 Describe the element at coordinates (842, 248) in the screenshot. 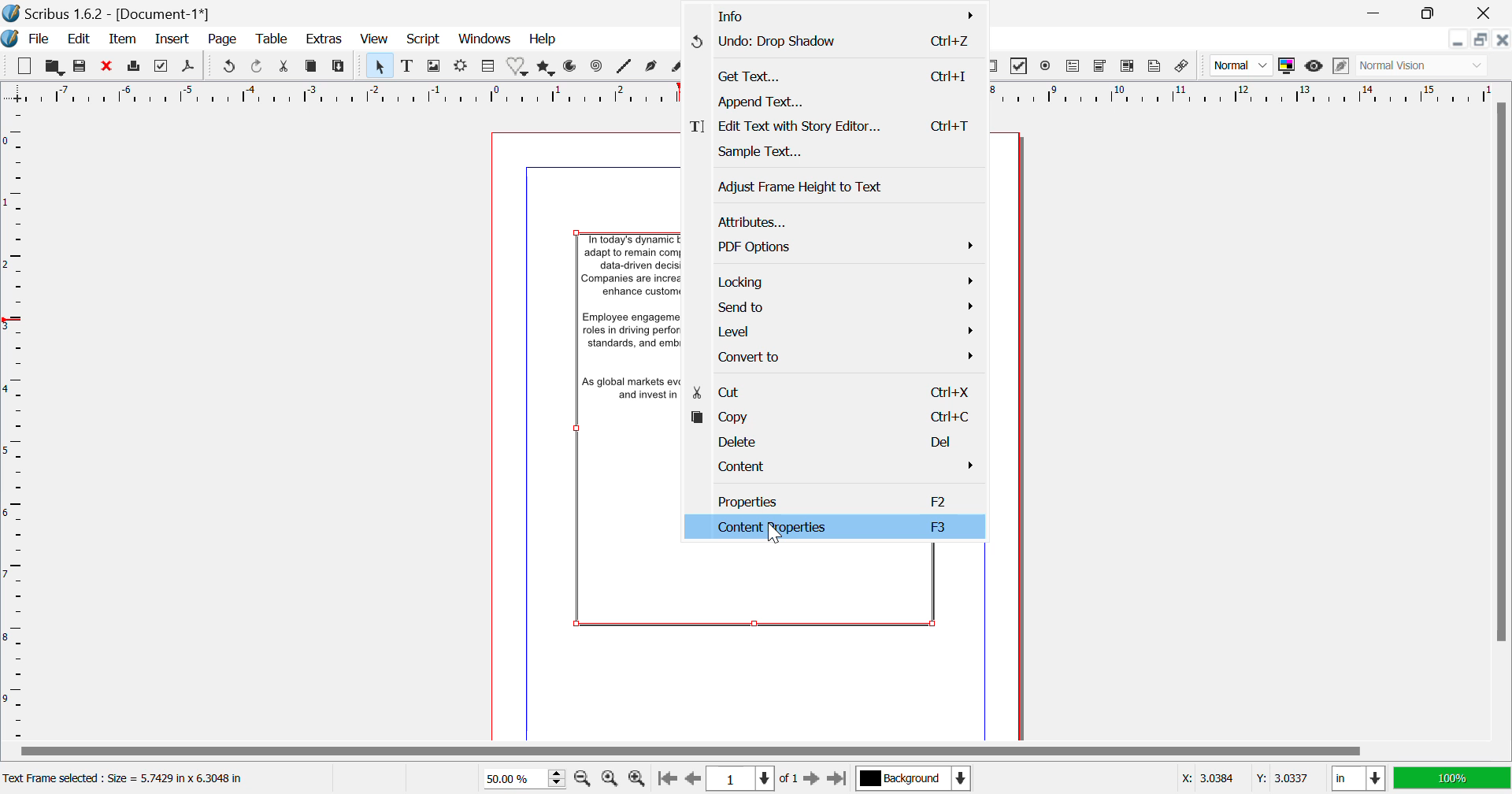

I see `PDF Options` at that location.